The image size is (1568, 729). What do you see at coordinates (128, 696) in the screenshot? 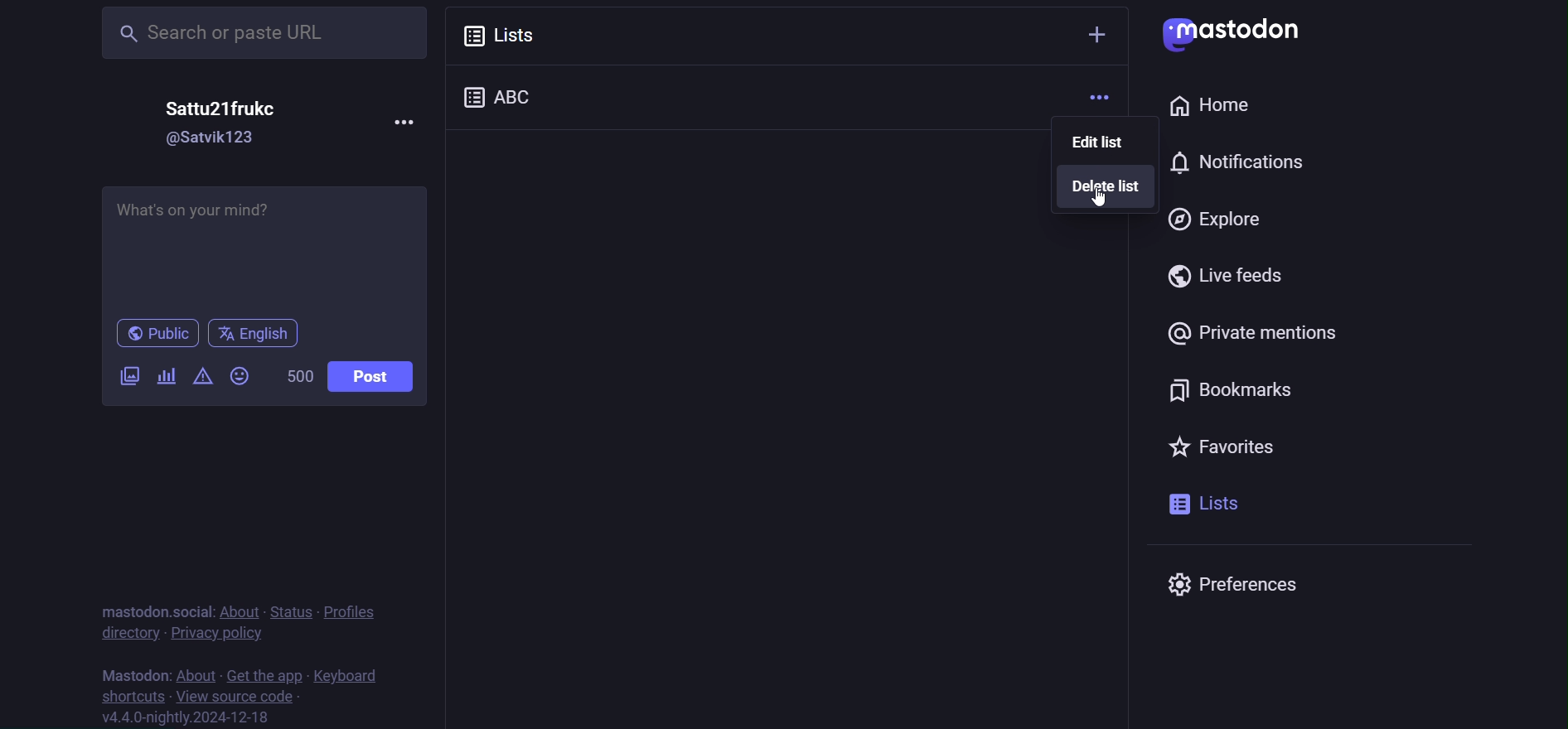
I see `shortcut` at bounding box center [128, 696].